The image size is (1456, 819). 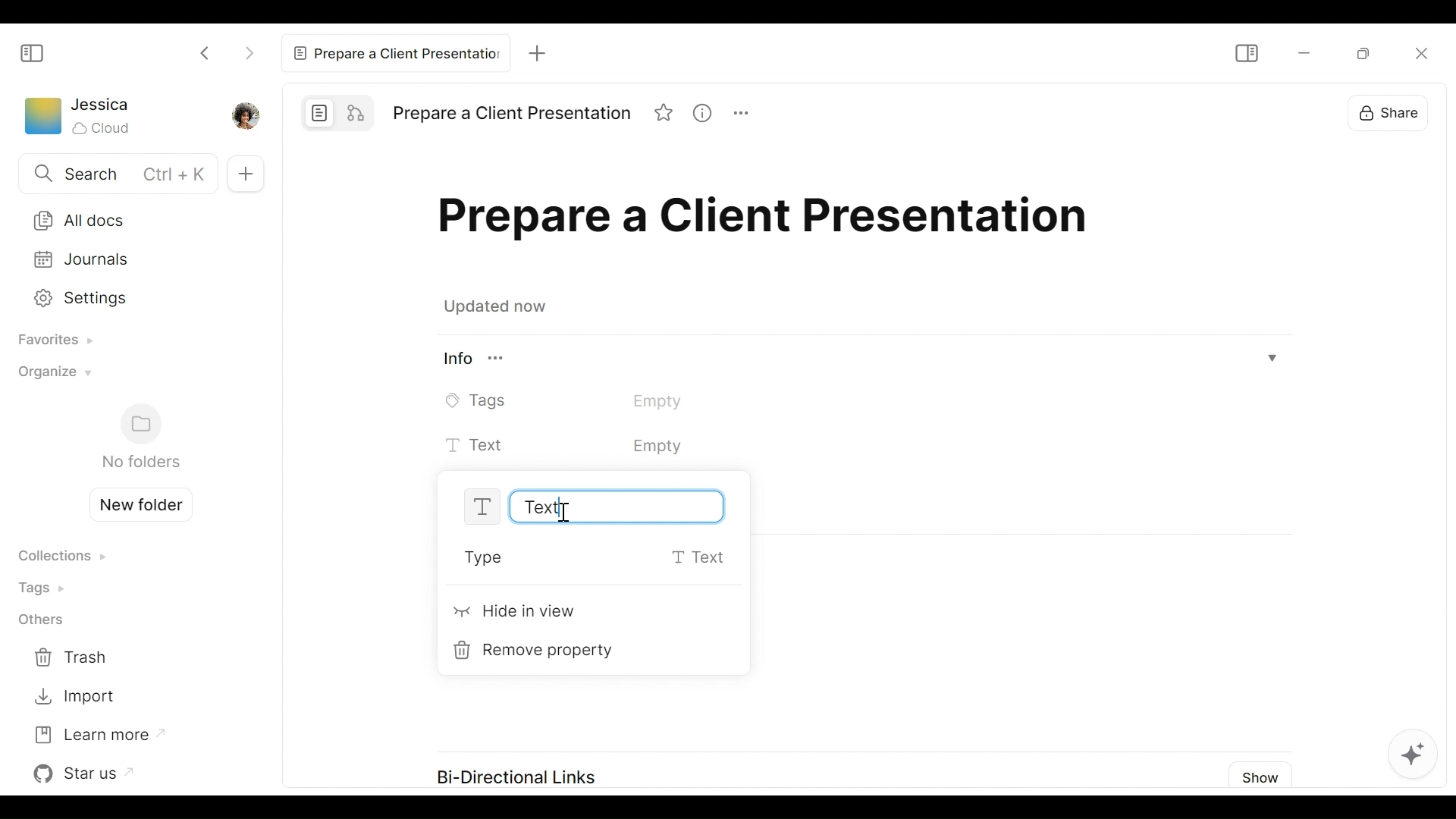 I want to click on Click to go Forward, so click(x=249, y=50).